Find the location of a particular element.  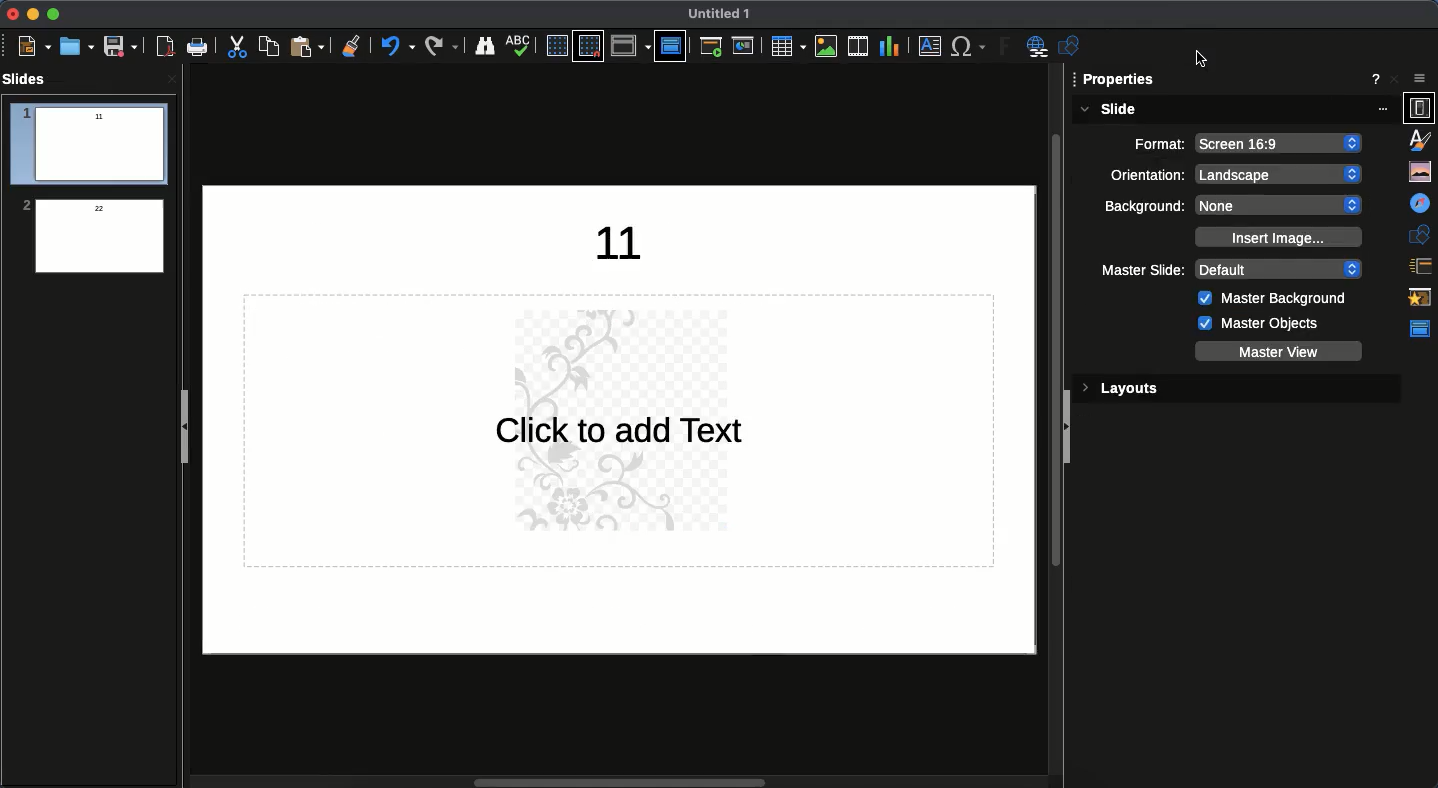

Save as PDF is located at coordinates (167, 49).